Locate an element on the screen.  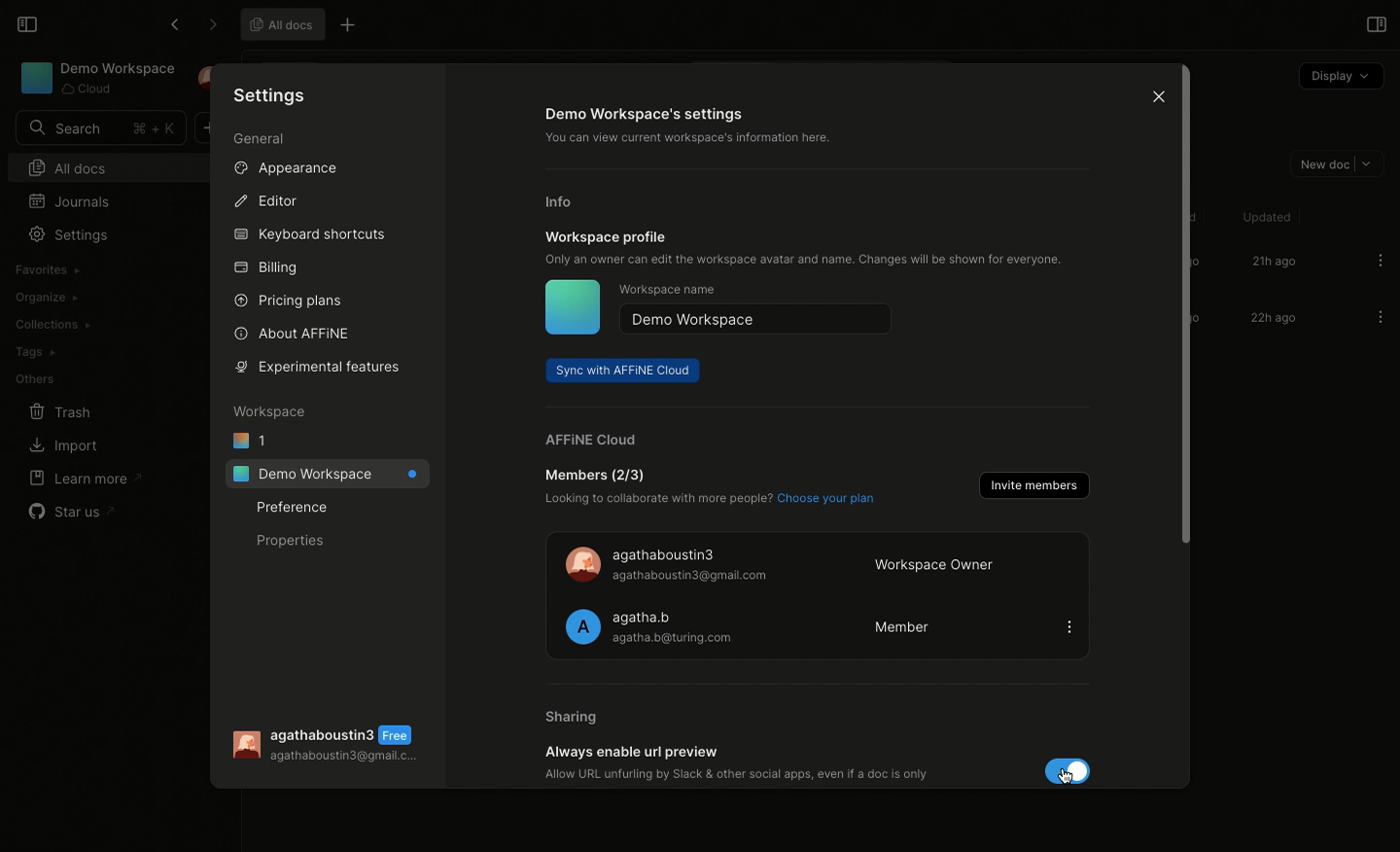
Pricing plans is located at coordinates (287, 302).